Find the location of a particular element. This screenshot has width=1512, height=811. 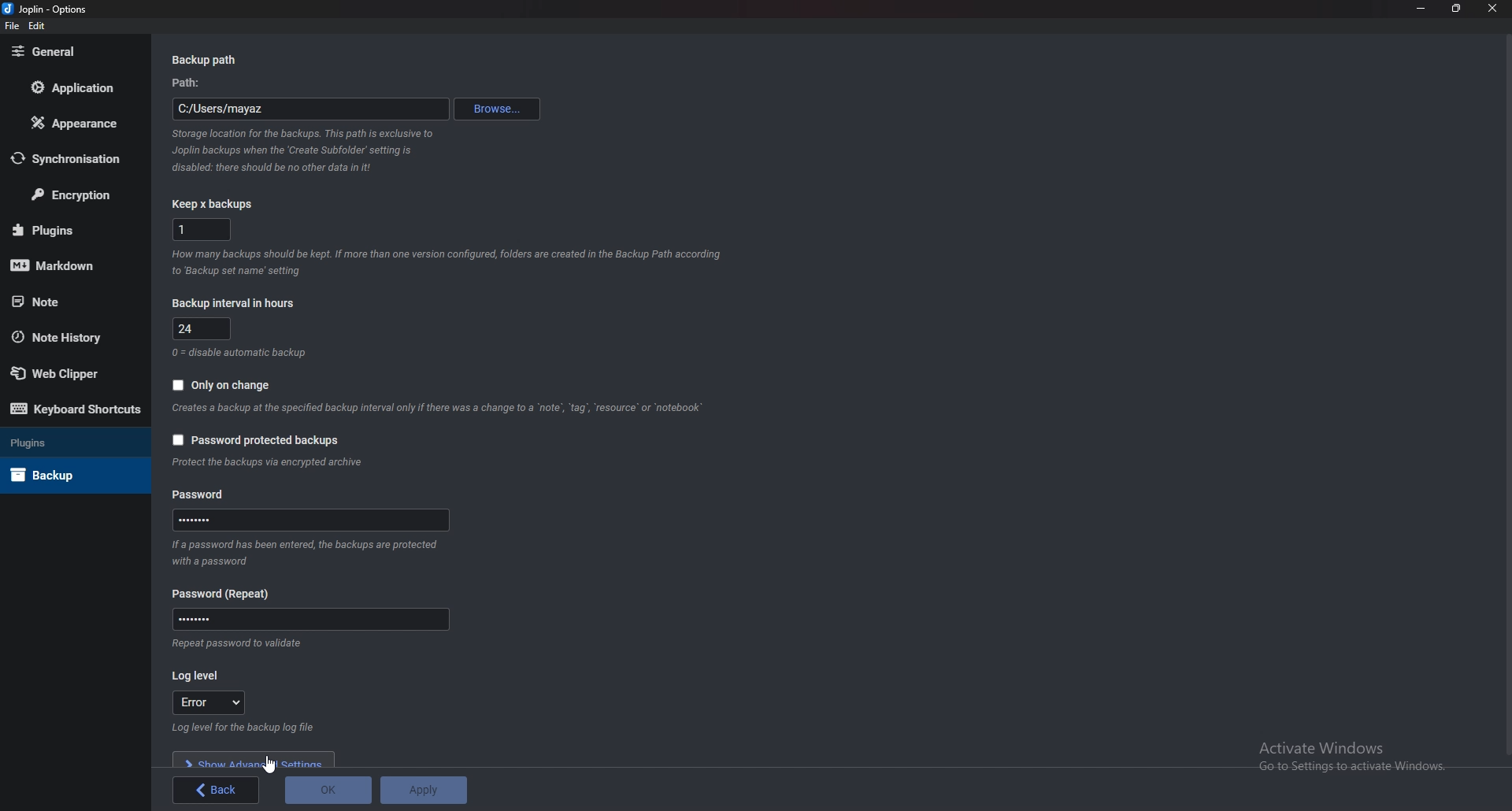

Resize is located at coordinates (1457, 9).